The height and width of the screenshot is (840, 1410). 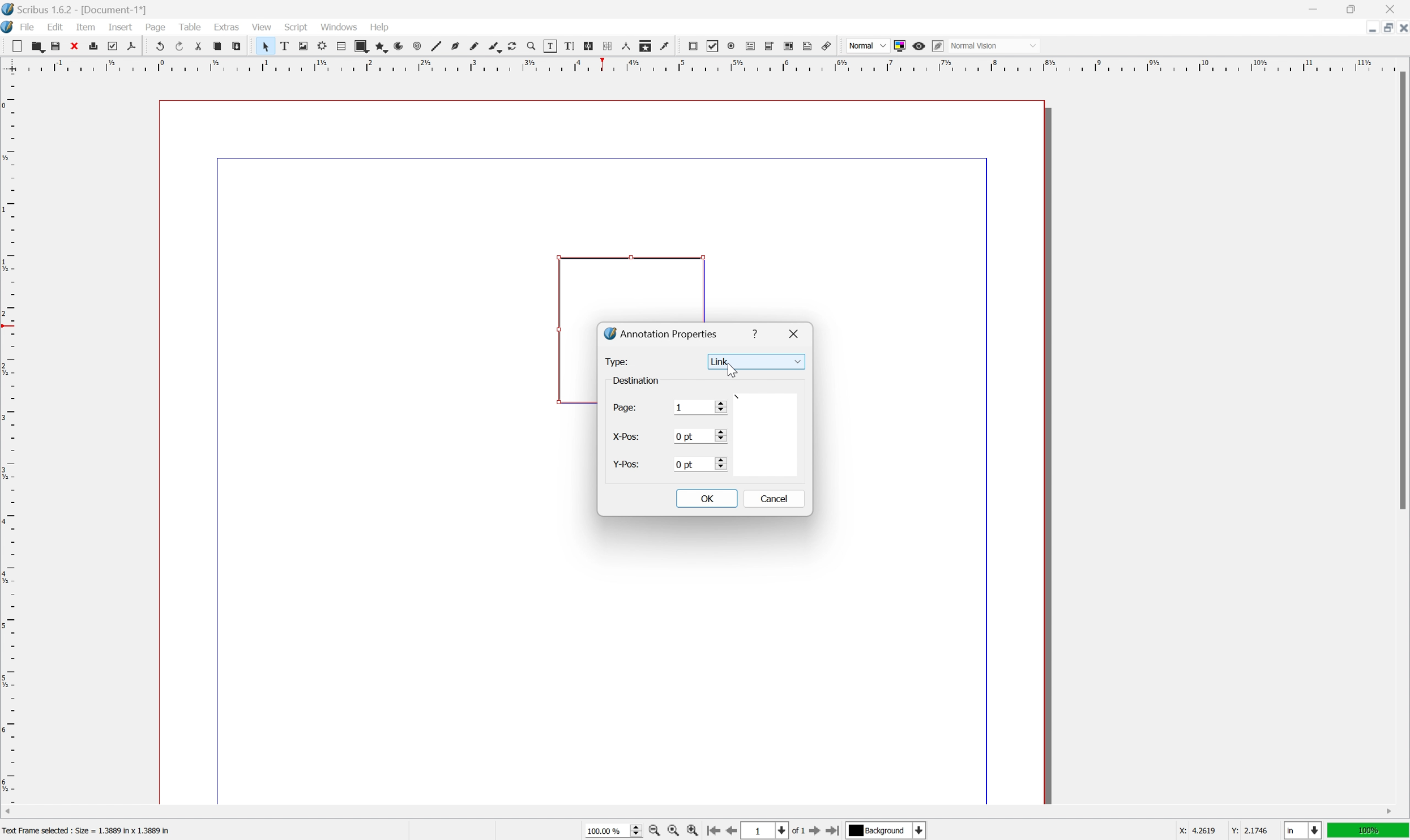 What do you see at coordinates (399, 46) in the screenshot?
I see `arc` at bounding box center [399, 46].